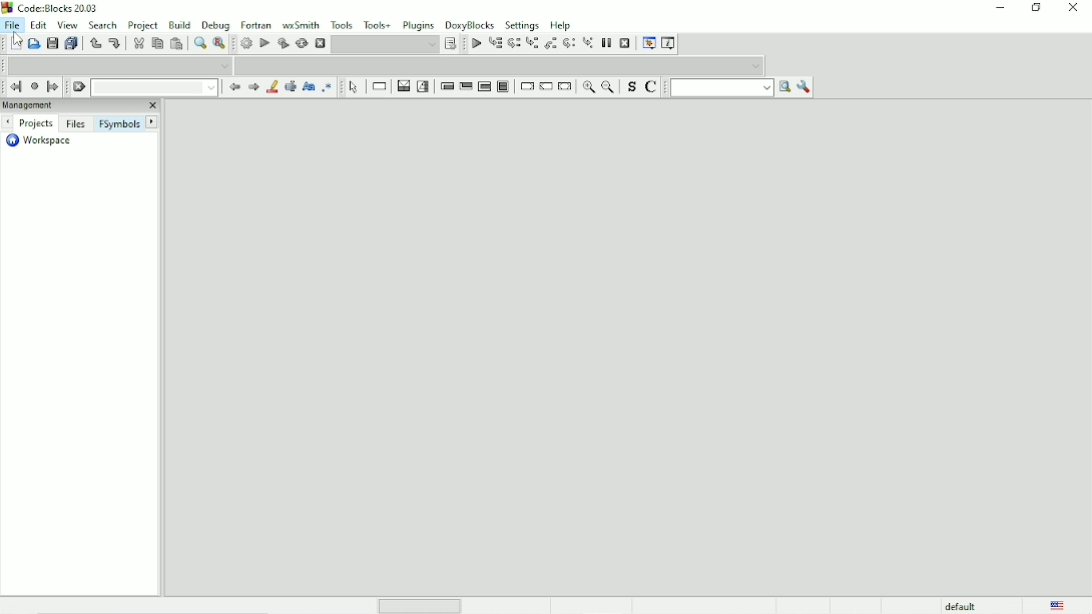 This screenshot has height=614, width=1092. Describe the element at coordinates (403, 86) in the screenshot. I see `Decision` at that location.